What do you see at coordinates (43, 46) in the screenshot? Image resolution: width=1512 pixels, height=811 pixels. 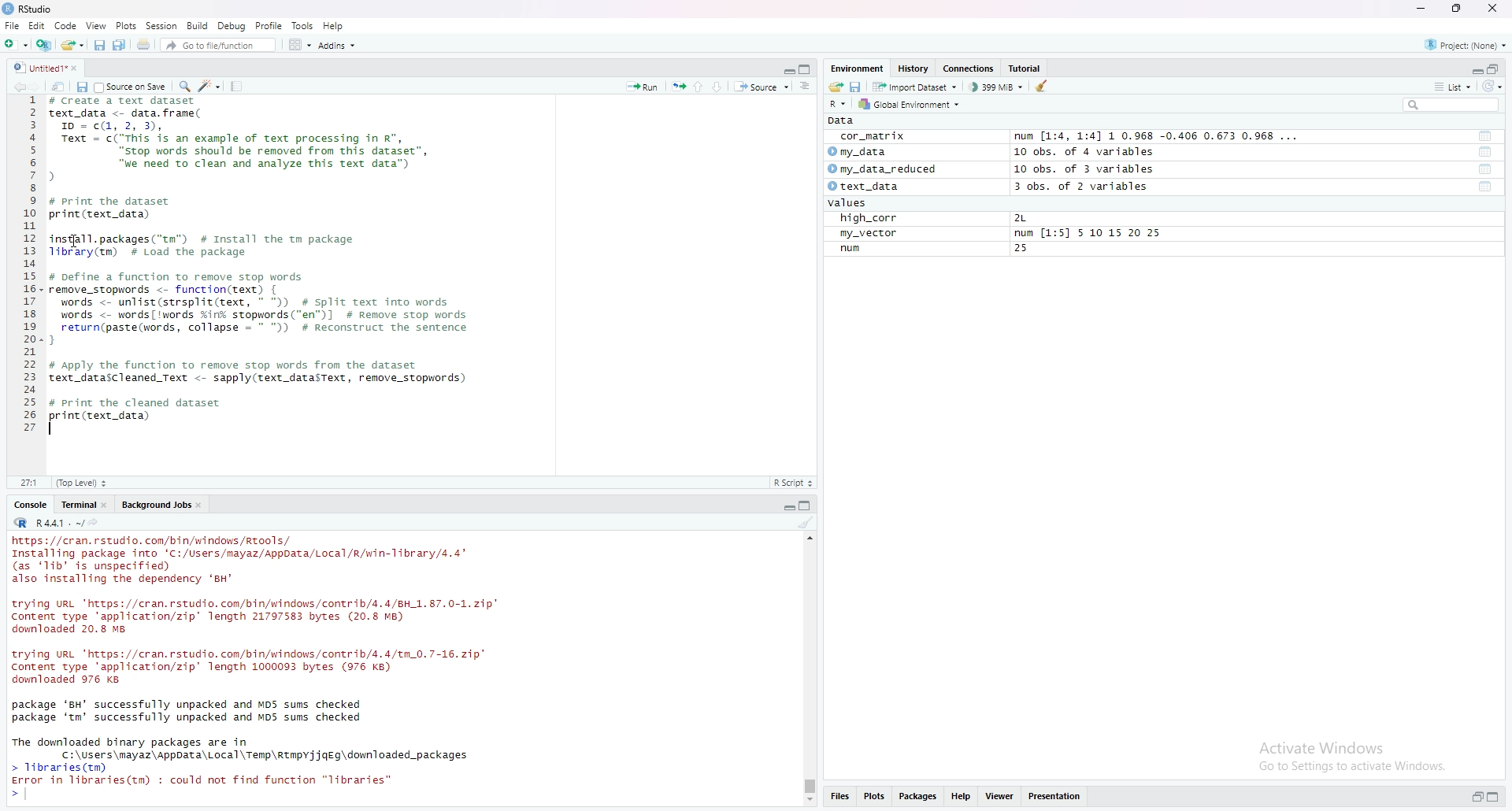 I see `create a project` at bounding box center [43, 46].